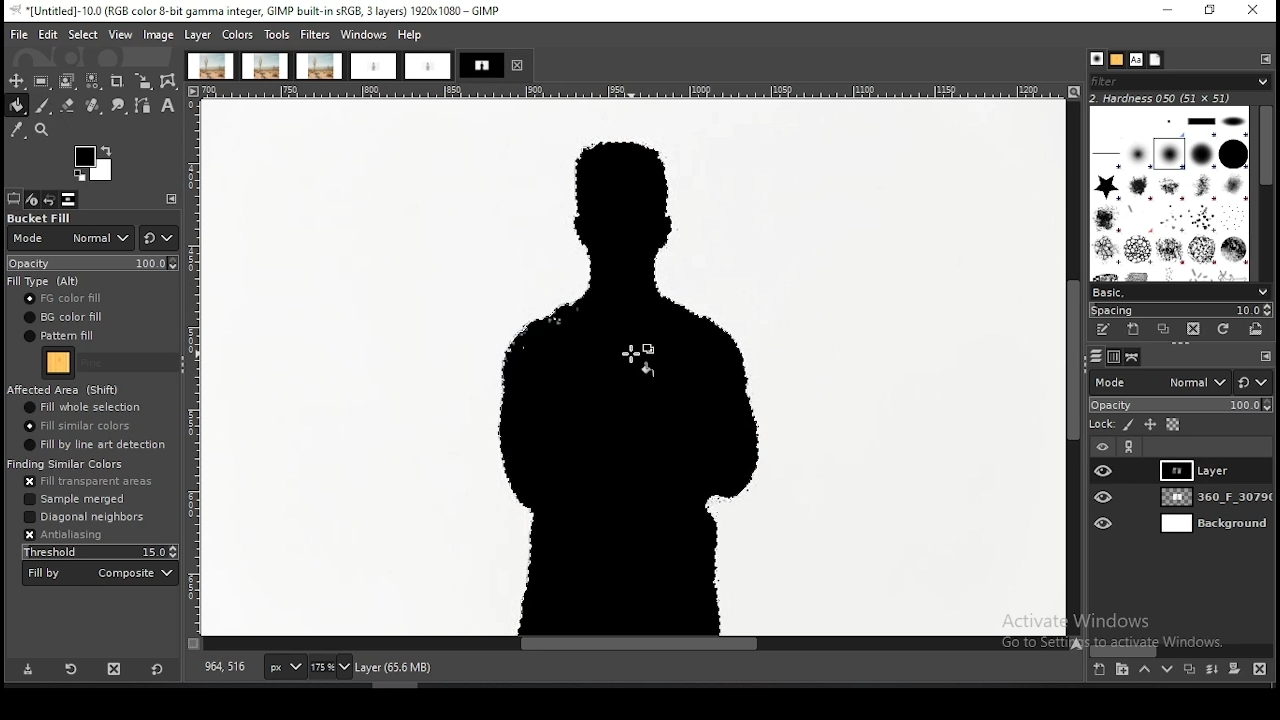  Describe the element at coordinates (49, 200) in the screenshot. I see `undo history` at that location.